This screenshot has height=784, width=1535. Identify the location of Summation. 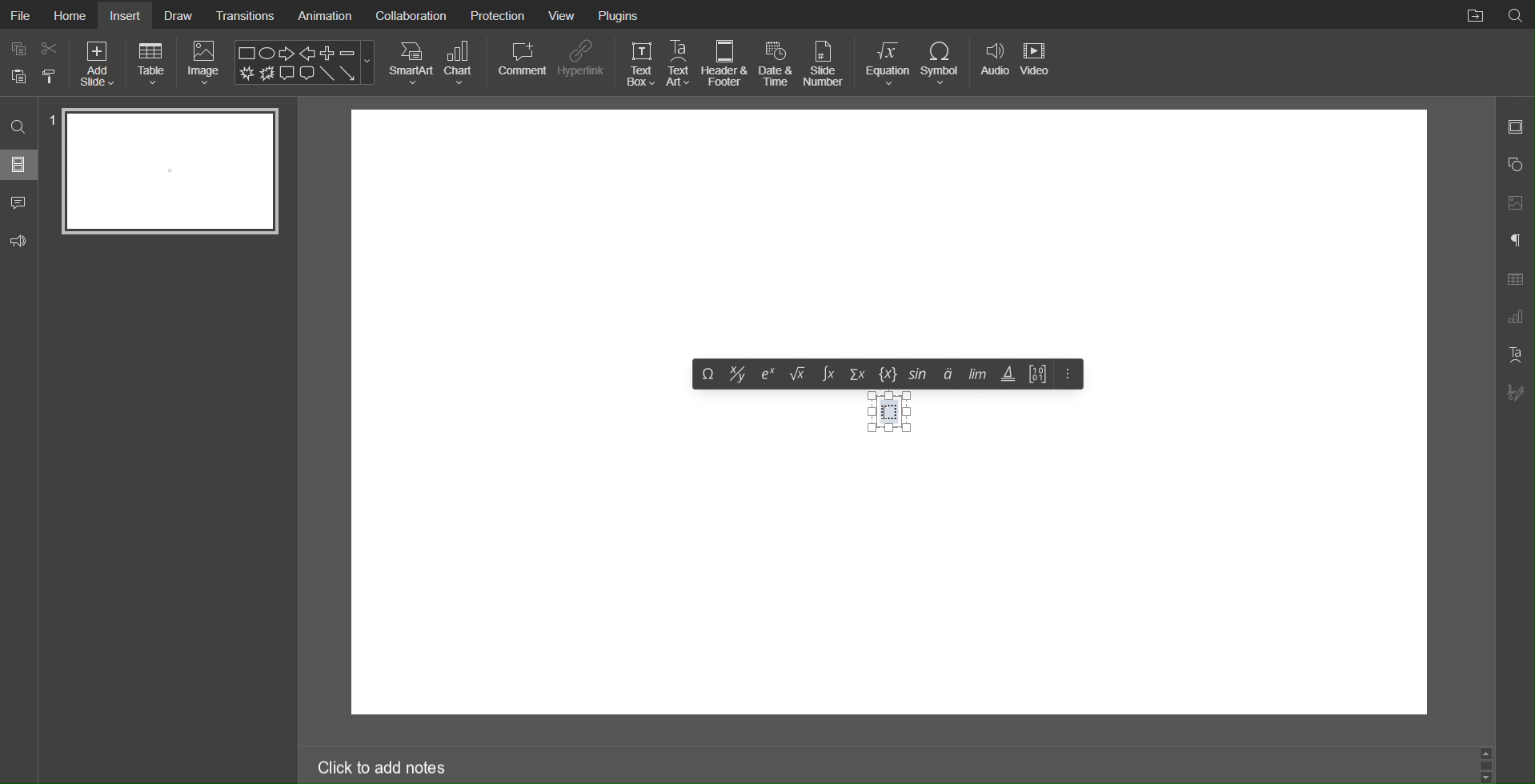
(859, 375).